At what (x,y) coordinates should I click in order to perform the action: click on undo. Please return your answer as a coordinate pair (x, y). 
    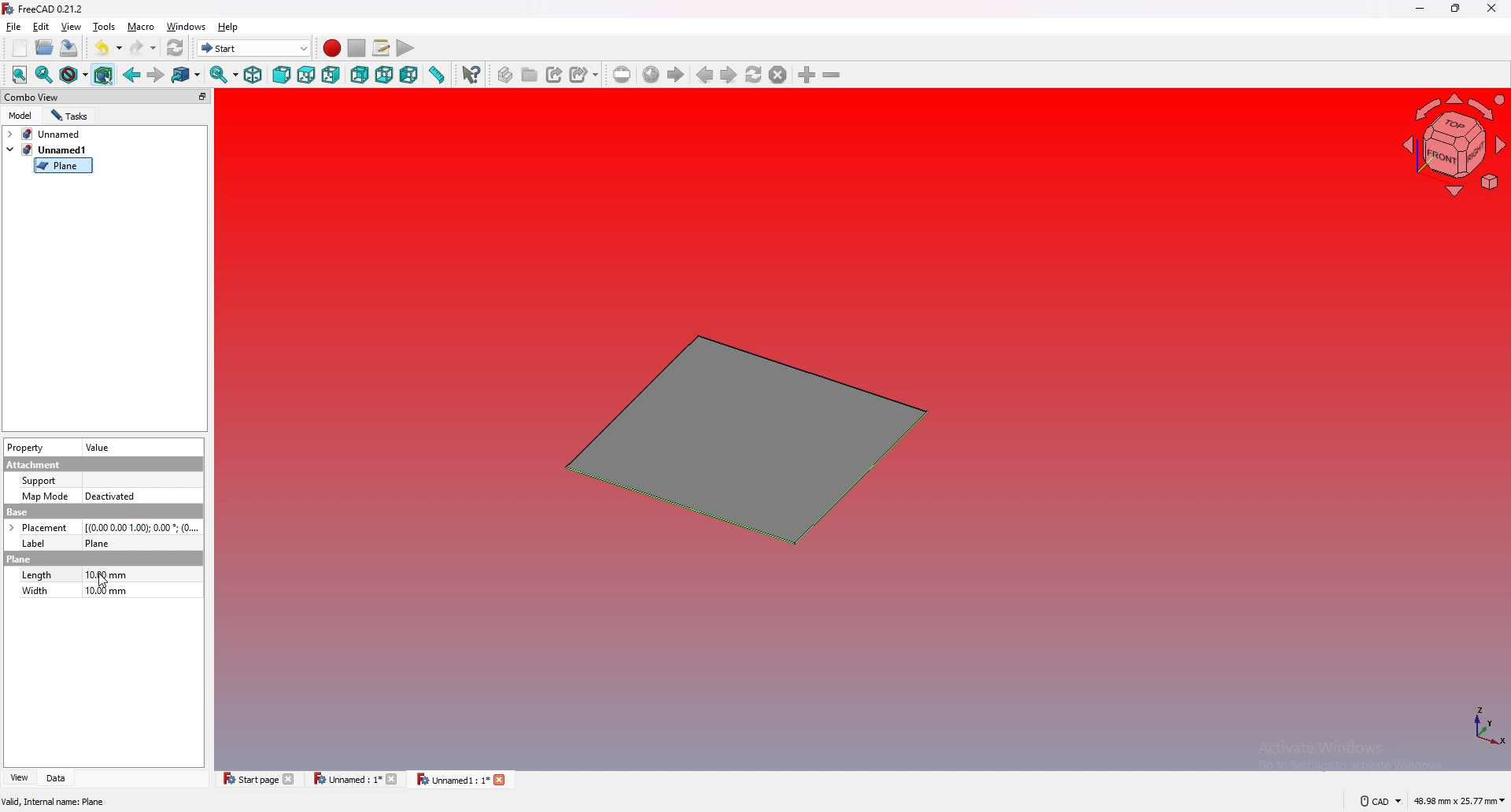
    Looking at the image, I should click on (109, 46).